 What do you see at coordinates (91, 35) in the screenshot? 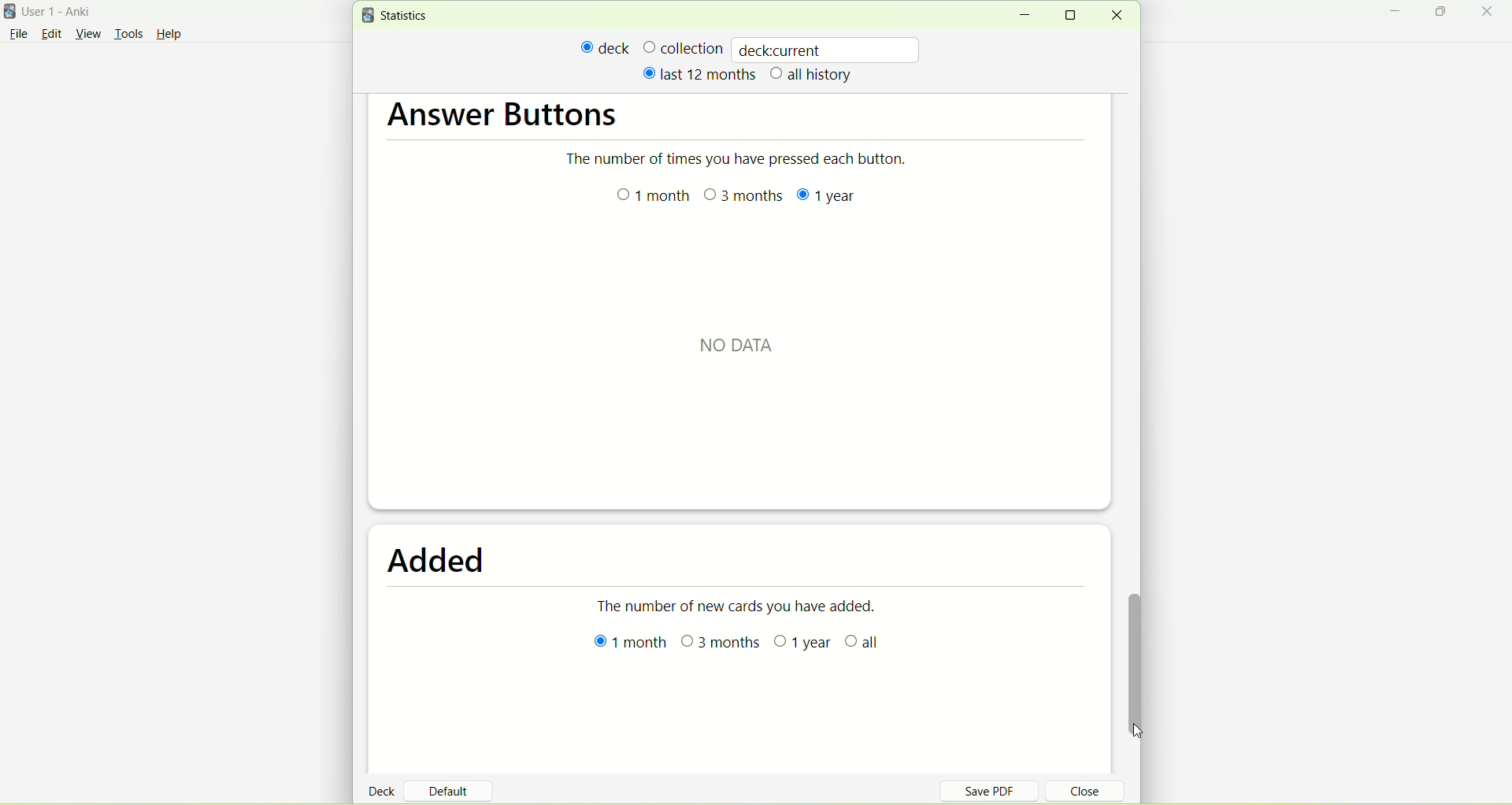
I see `view` at bounding box center [91, 35].